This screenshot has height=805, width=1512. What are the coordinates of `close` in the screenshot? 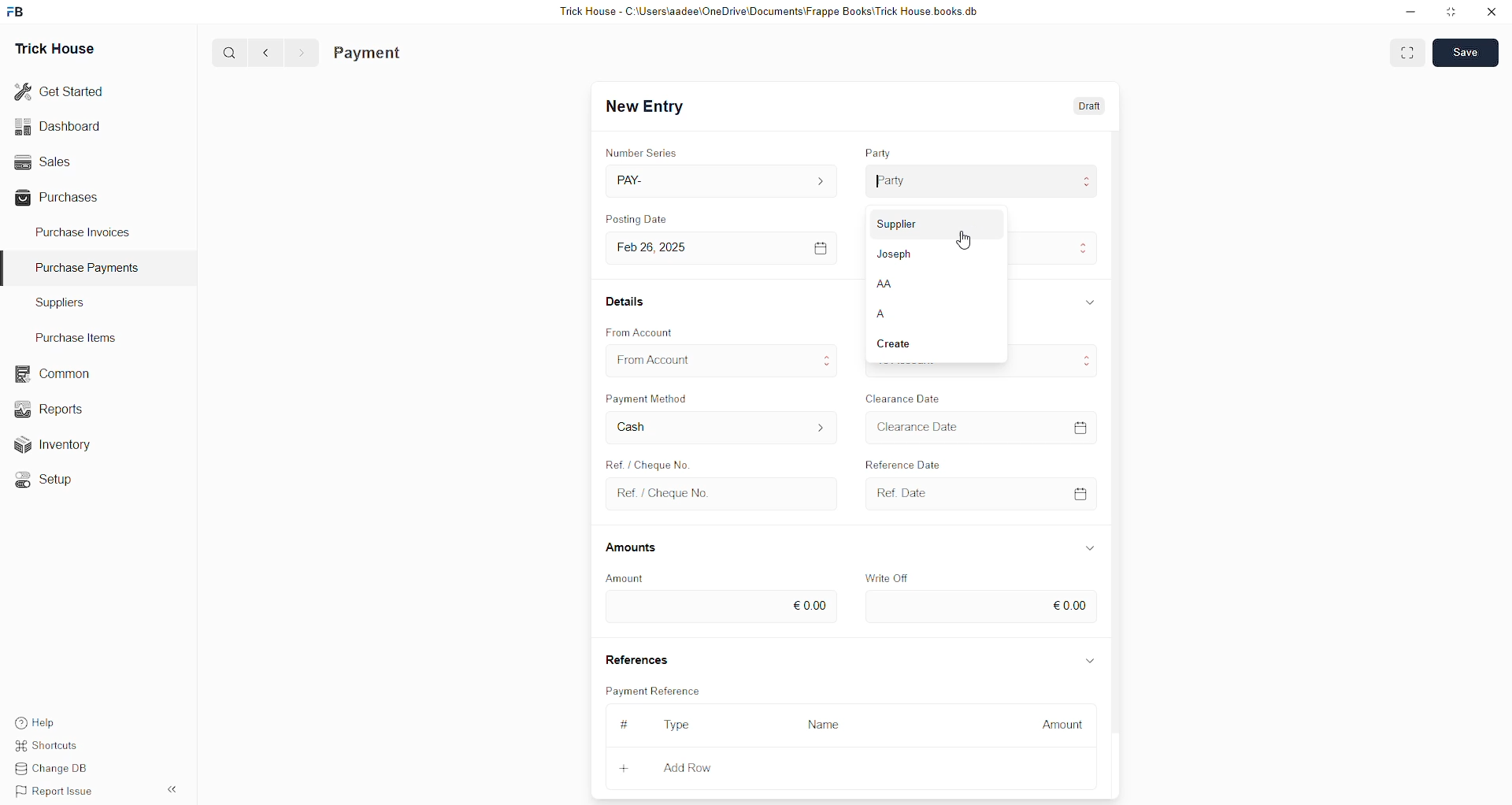 It's located at (1492, 12).